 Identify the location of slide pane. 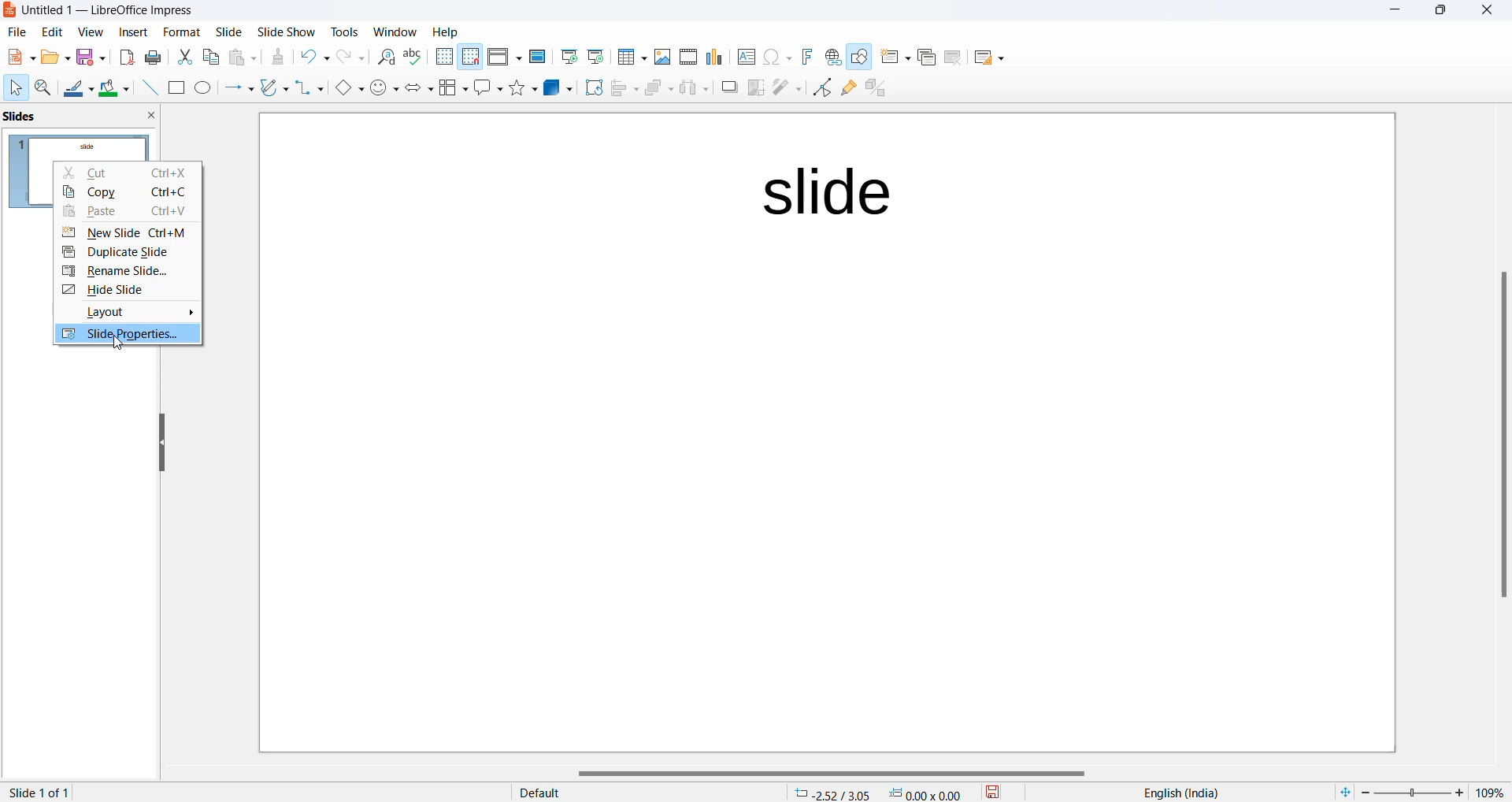
(79, 118).